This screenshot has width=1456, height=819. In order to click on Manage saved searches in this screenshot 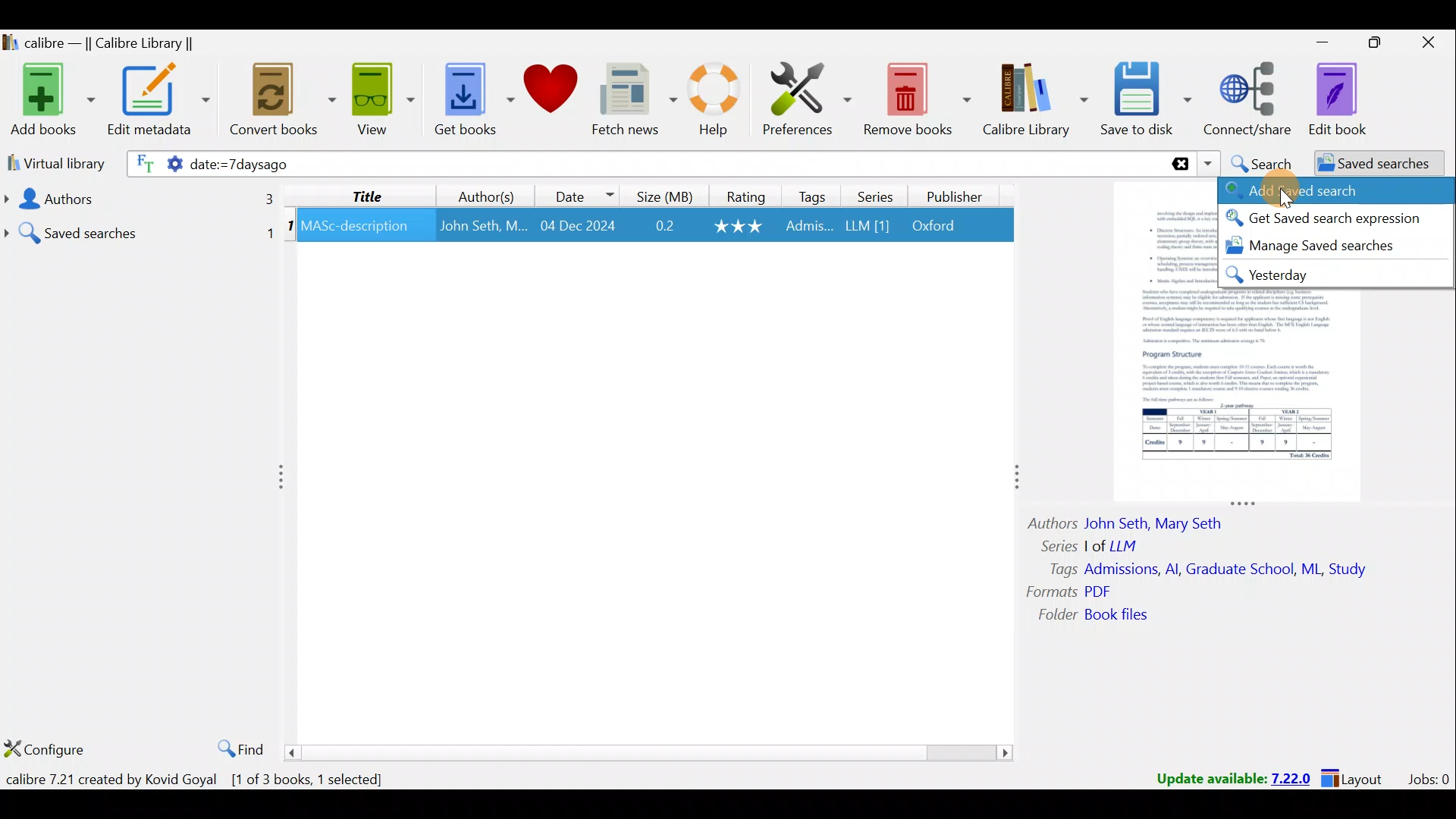, I will do `click(1319, 247)`.